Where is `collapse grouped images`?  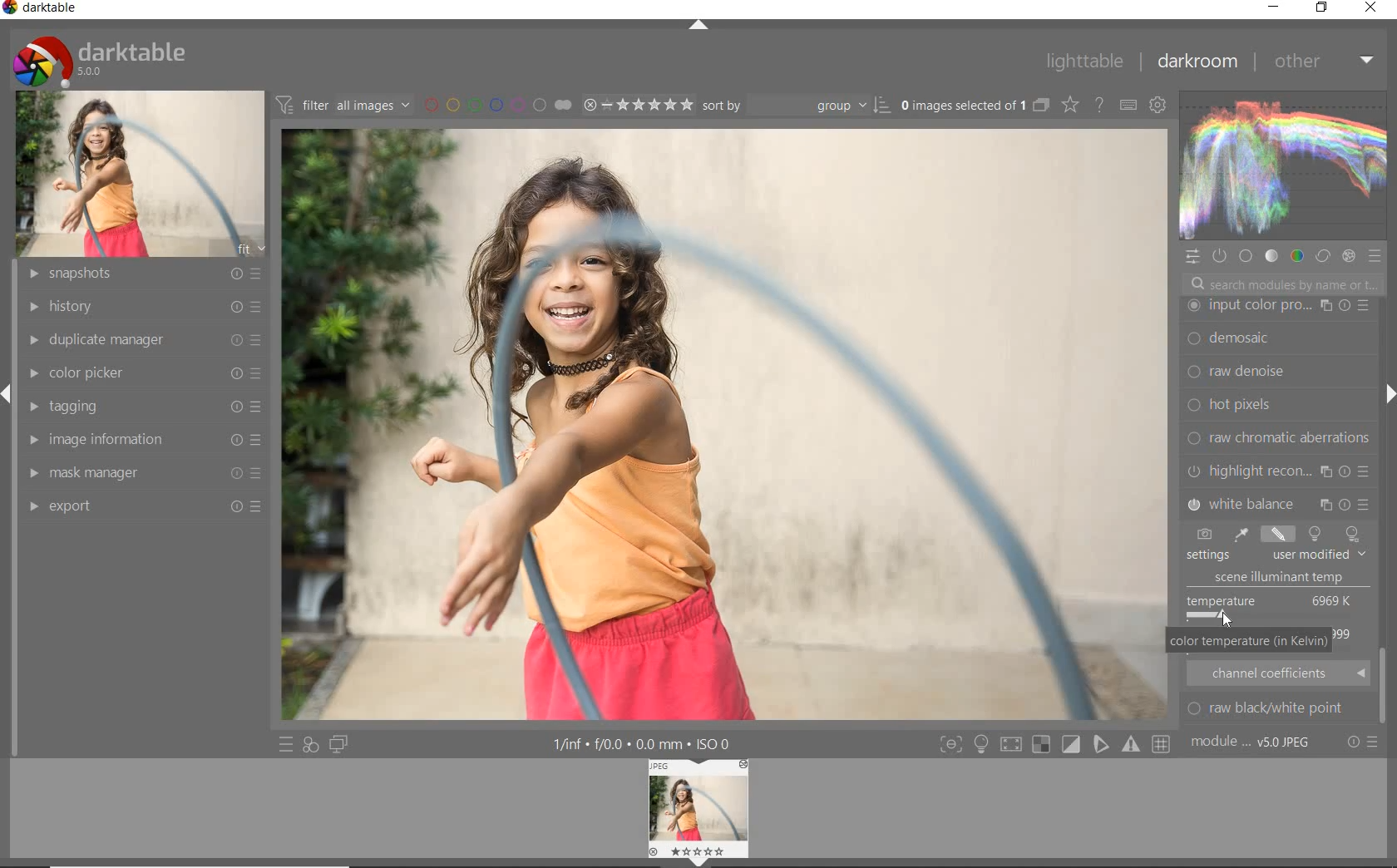 collapse grouped images is located at coordinates (1040, 106).